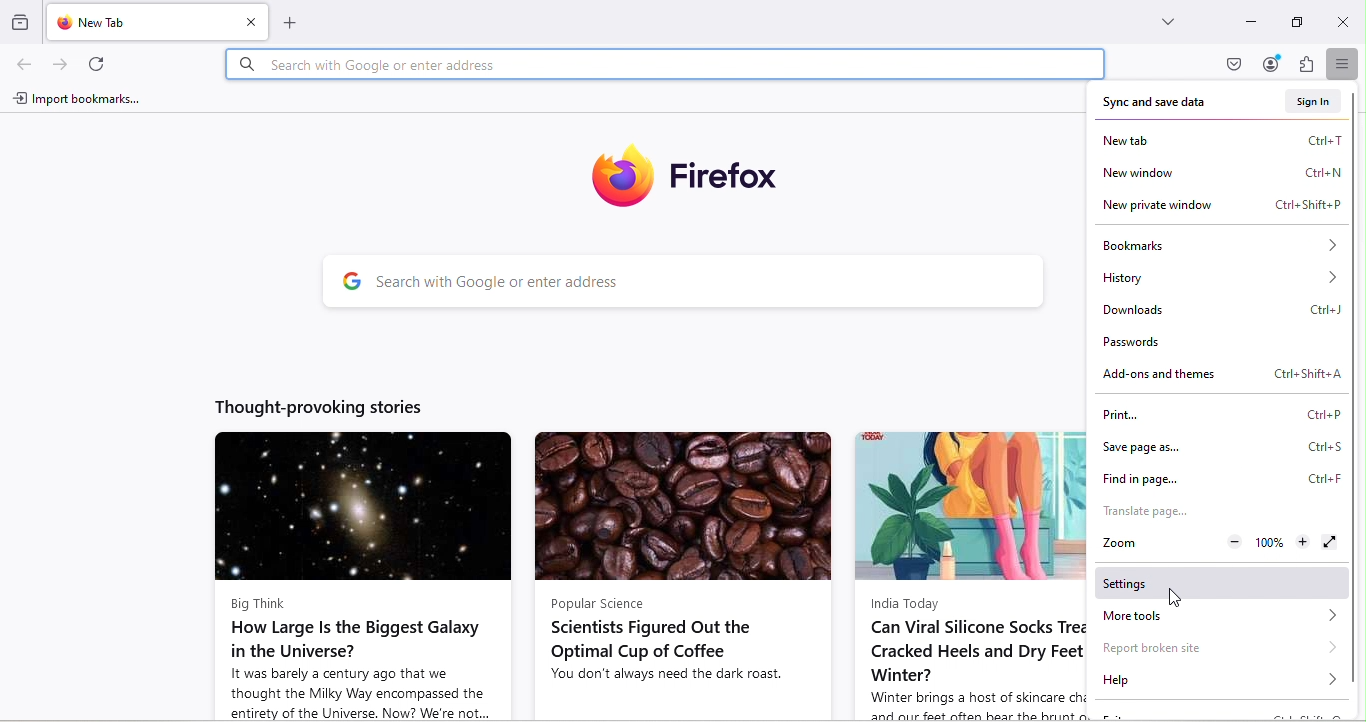 This screenshot has width=1366, height=722. What do you see at coordinates (1304, 539) in the screenshot?
I see `Zoom in` at bounding box center [1304, 539].